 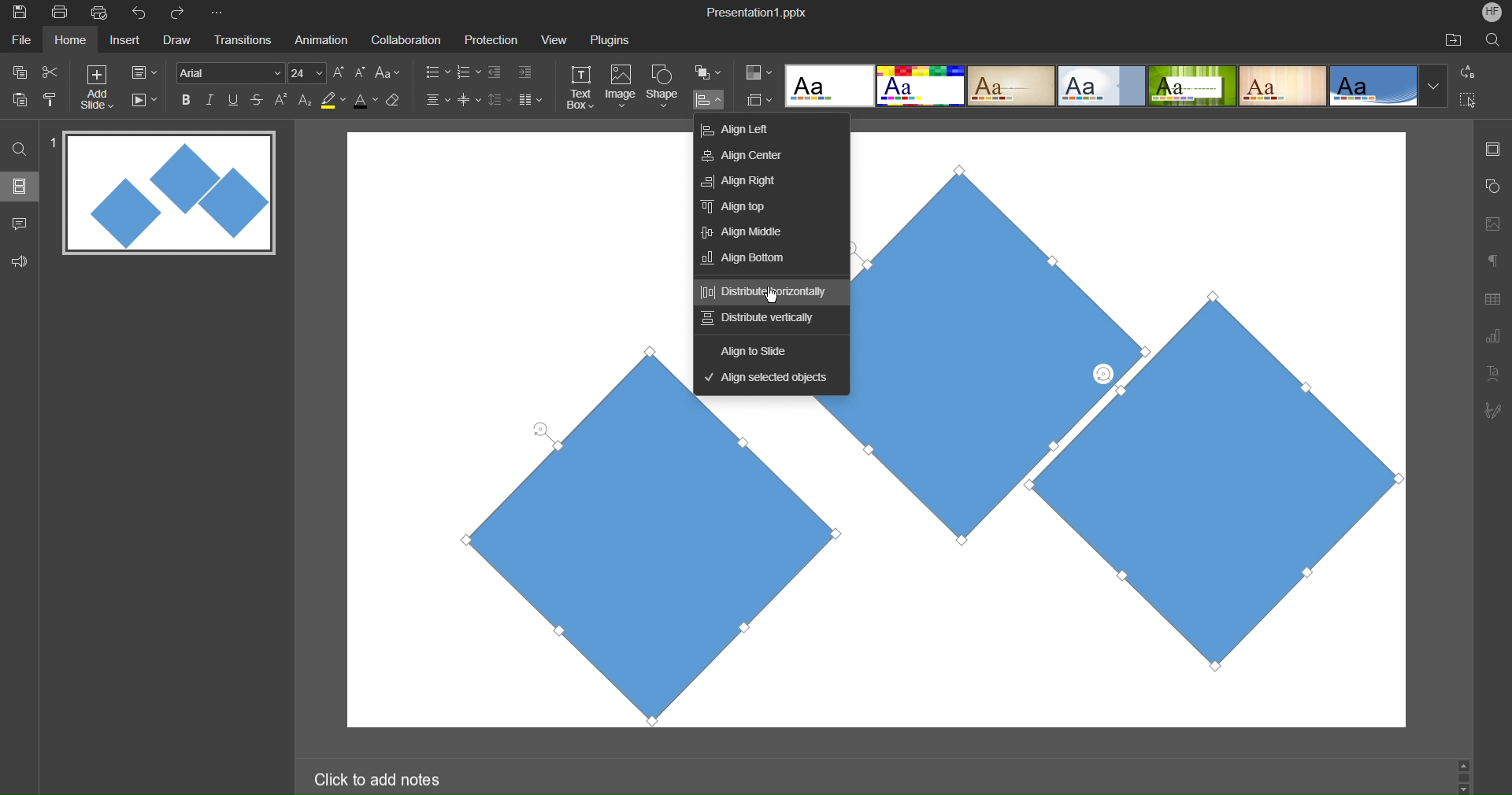 What do you see at coordinates (165, 194) in the screenshot?
I see `slide 1` at bounding box center [165, 194].